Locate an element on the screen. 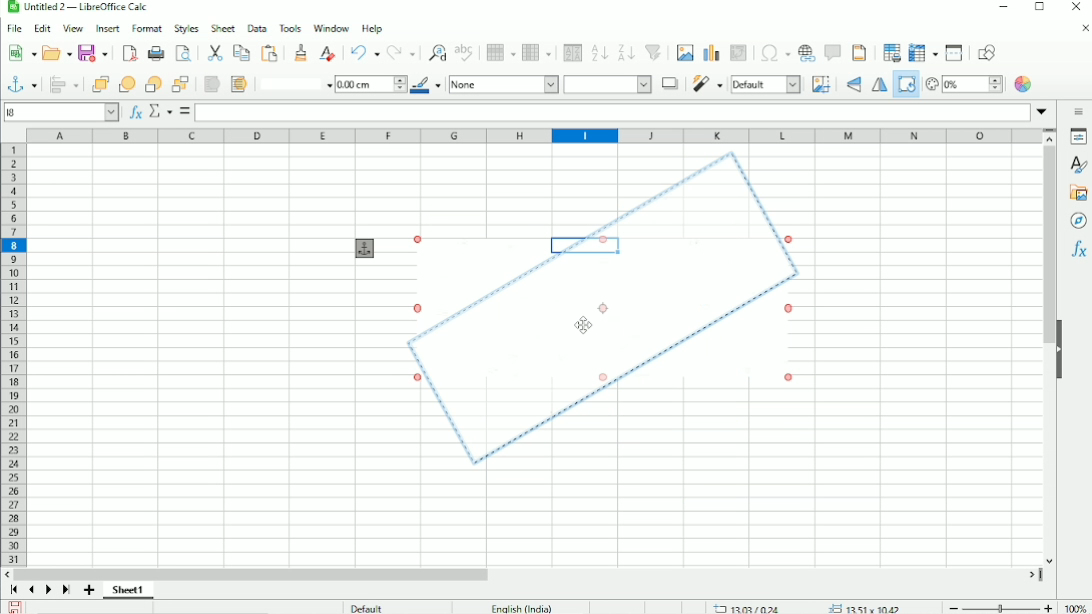  Shadow is located at coordinates (670, 84).